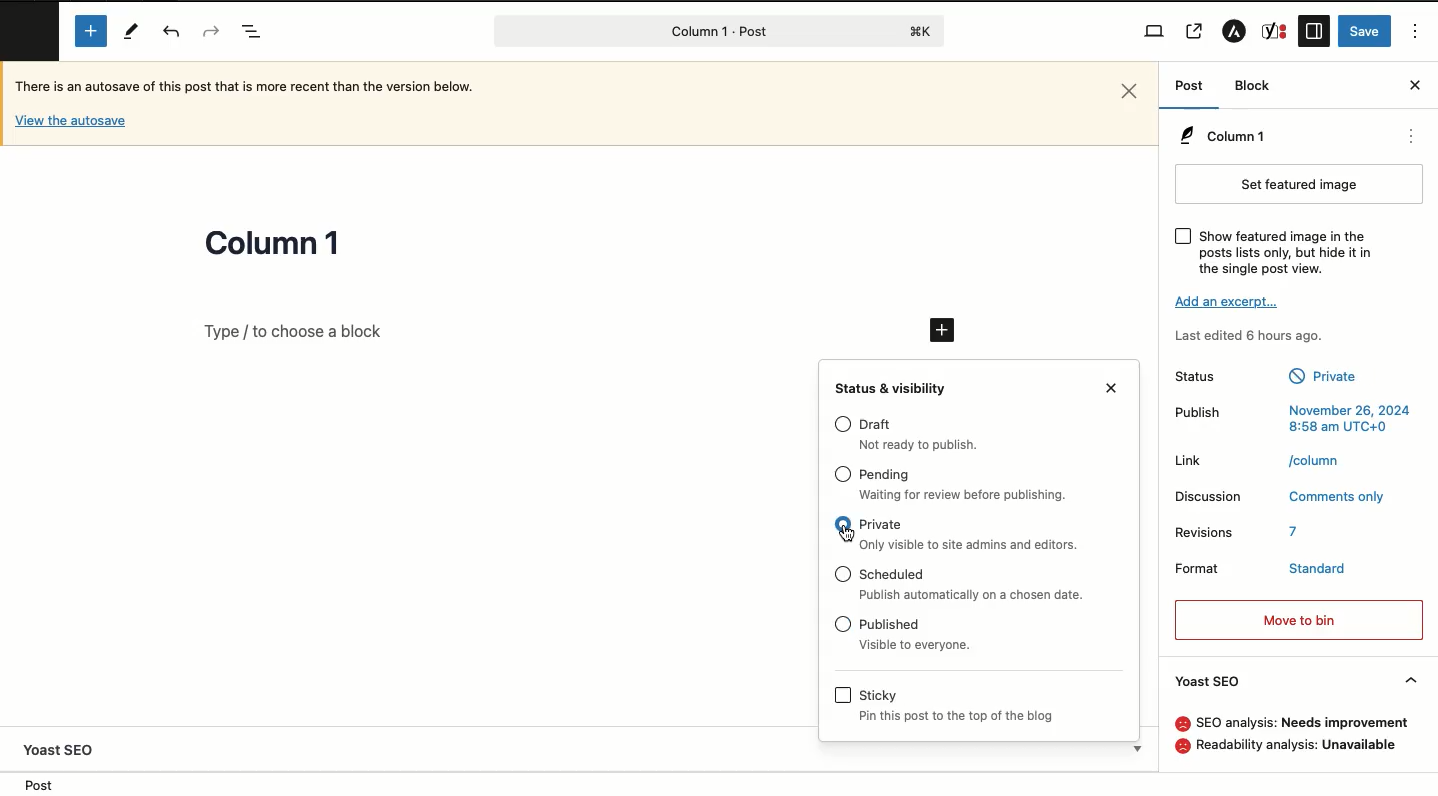 The height and width of the screenshot is (796, 1438). What do you see at coordinates (843, 573) in the screenshot?
I see `Checkbox` at bounding box center [843, 573].